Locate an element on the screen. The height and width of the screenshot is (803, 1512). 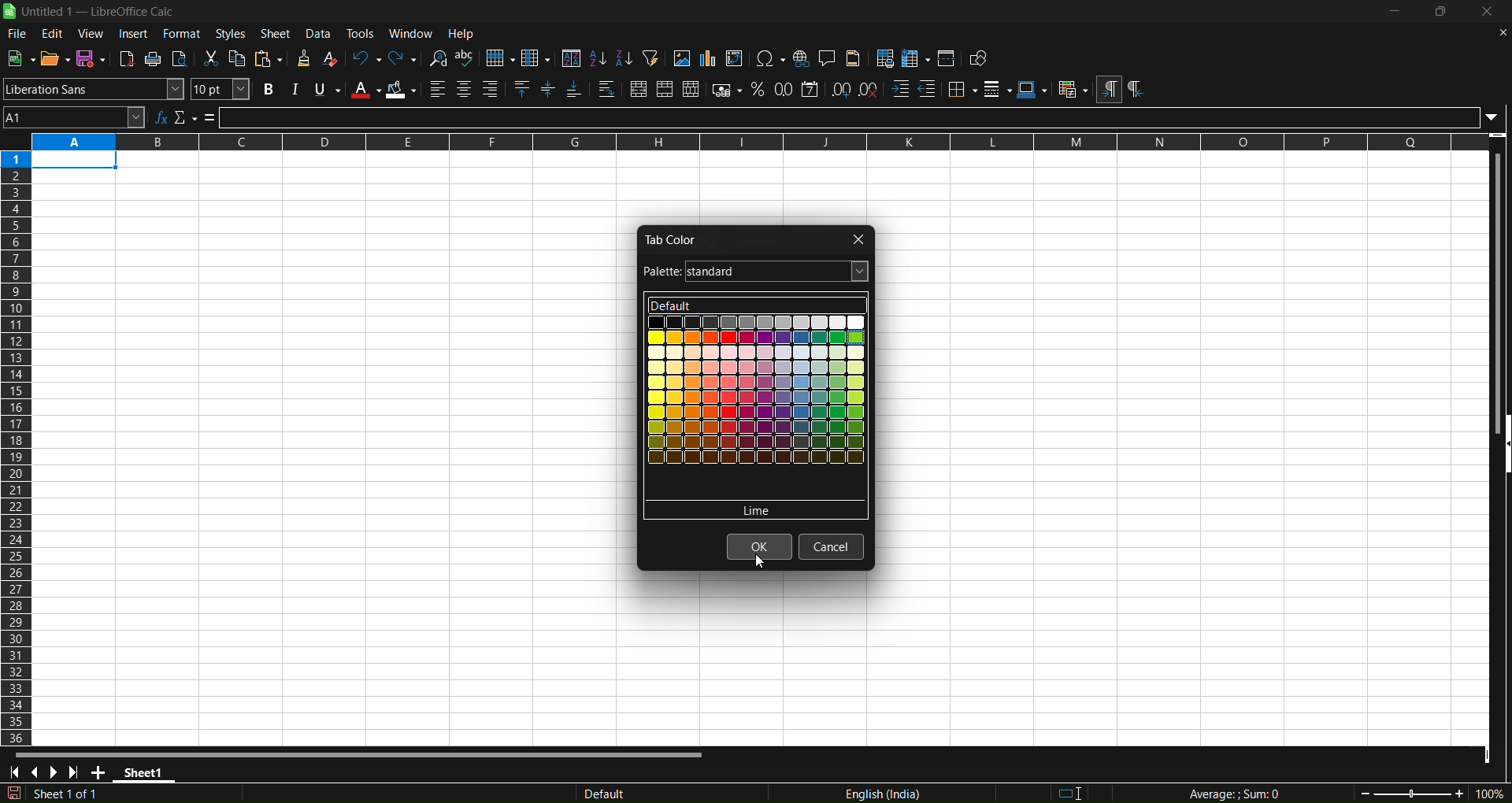
add new sheet is located at coordinates (100, 775).